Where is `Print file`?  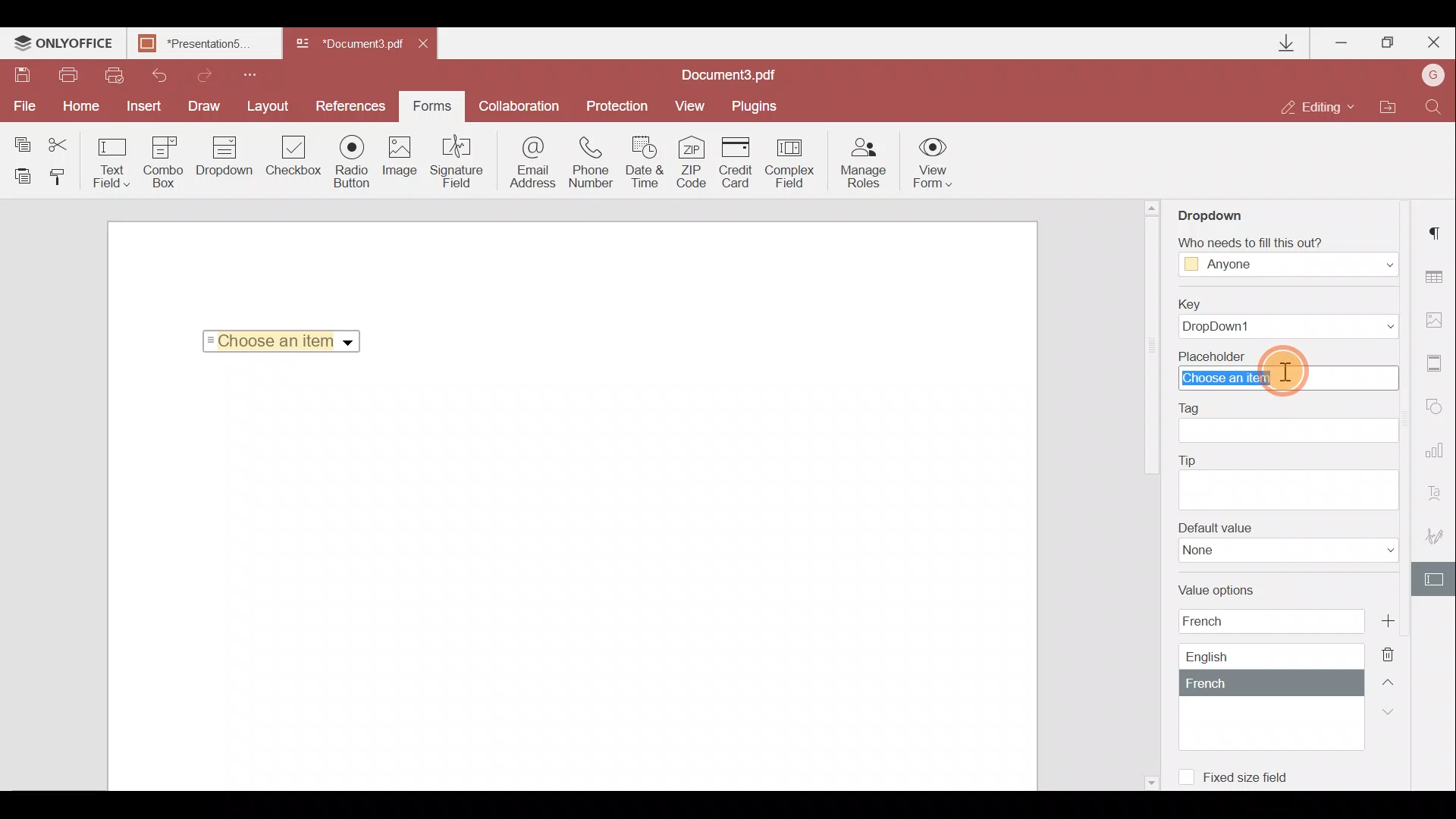 Print file is located at coordinates (70, 76).